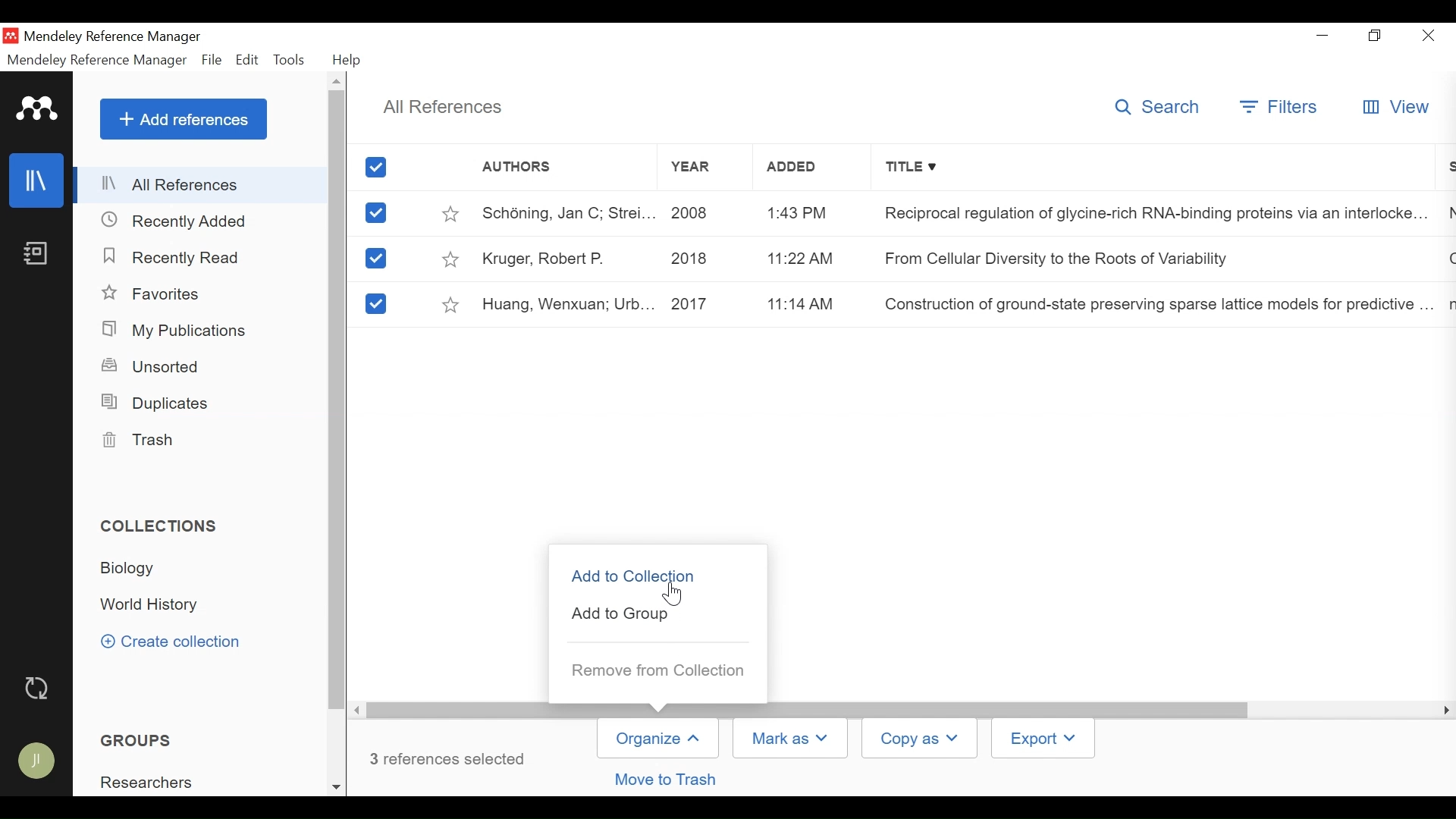 This screenshot has height=819, width=1456. What do you see at coordinates (658, 670) in the screenshot?
I see `Remove from Collection` at bounding box center [658, 670].